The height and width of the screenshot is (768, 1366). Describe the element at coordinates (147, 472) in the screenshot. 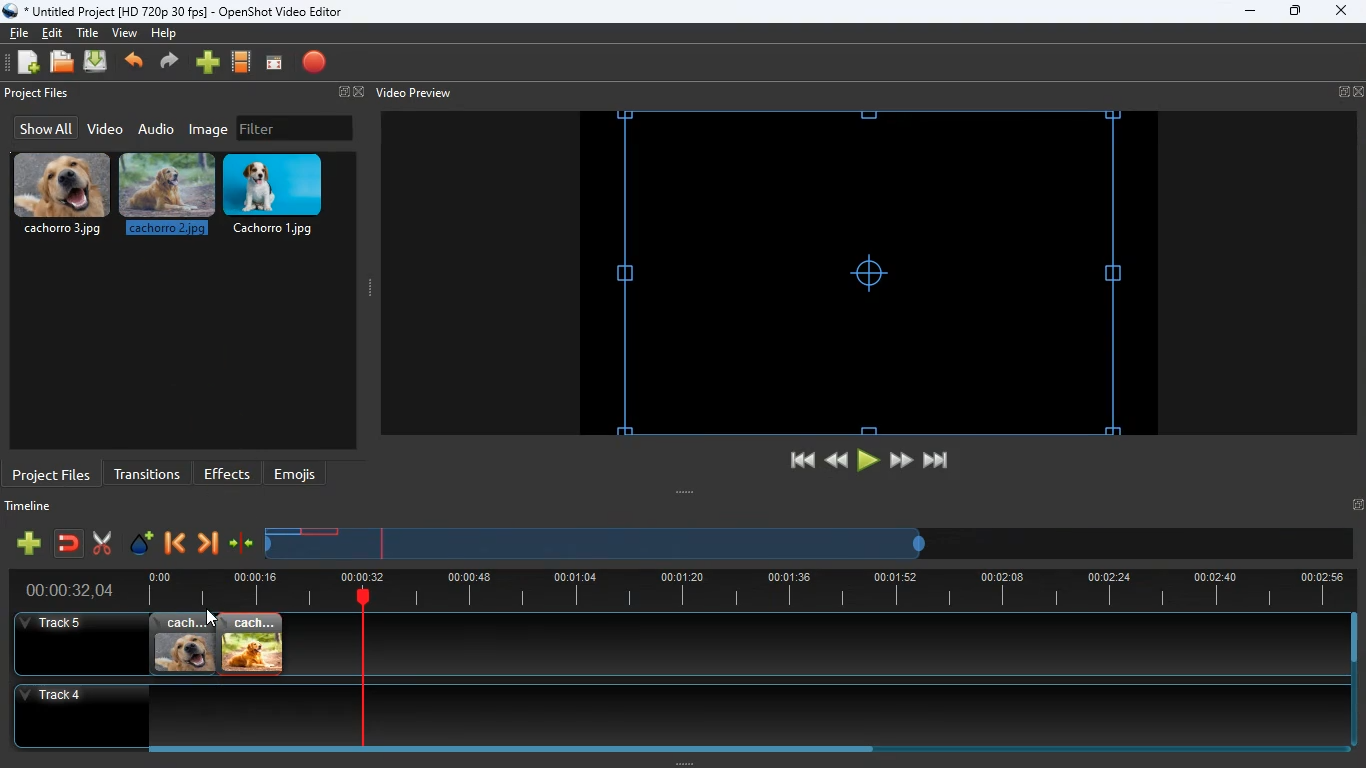

I see `transitions` at that location.